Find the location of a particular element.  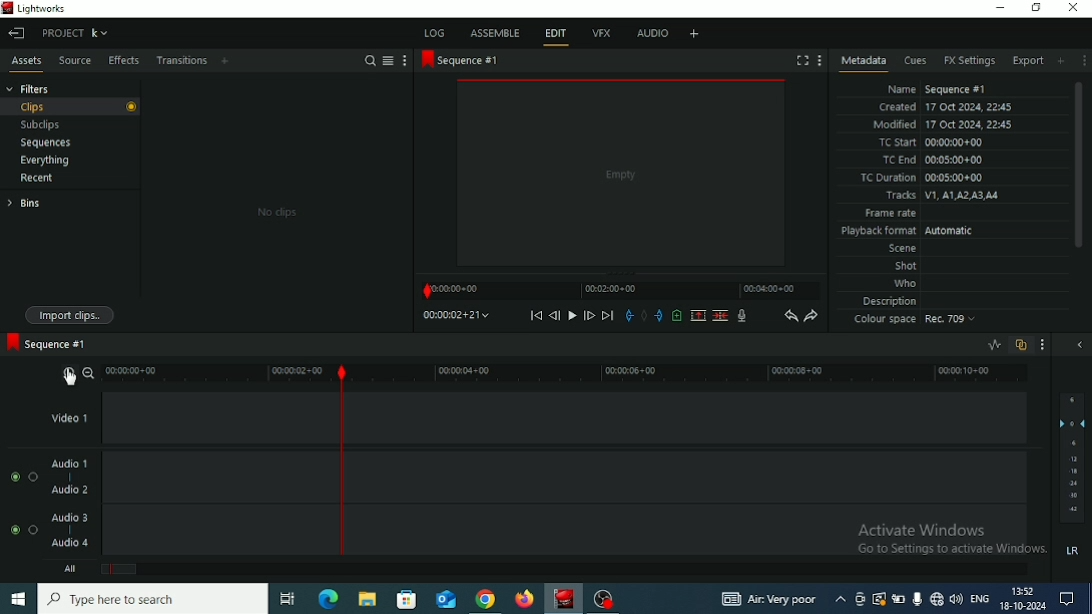

Colour space is located at coordinates (917, 321).